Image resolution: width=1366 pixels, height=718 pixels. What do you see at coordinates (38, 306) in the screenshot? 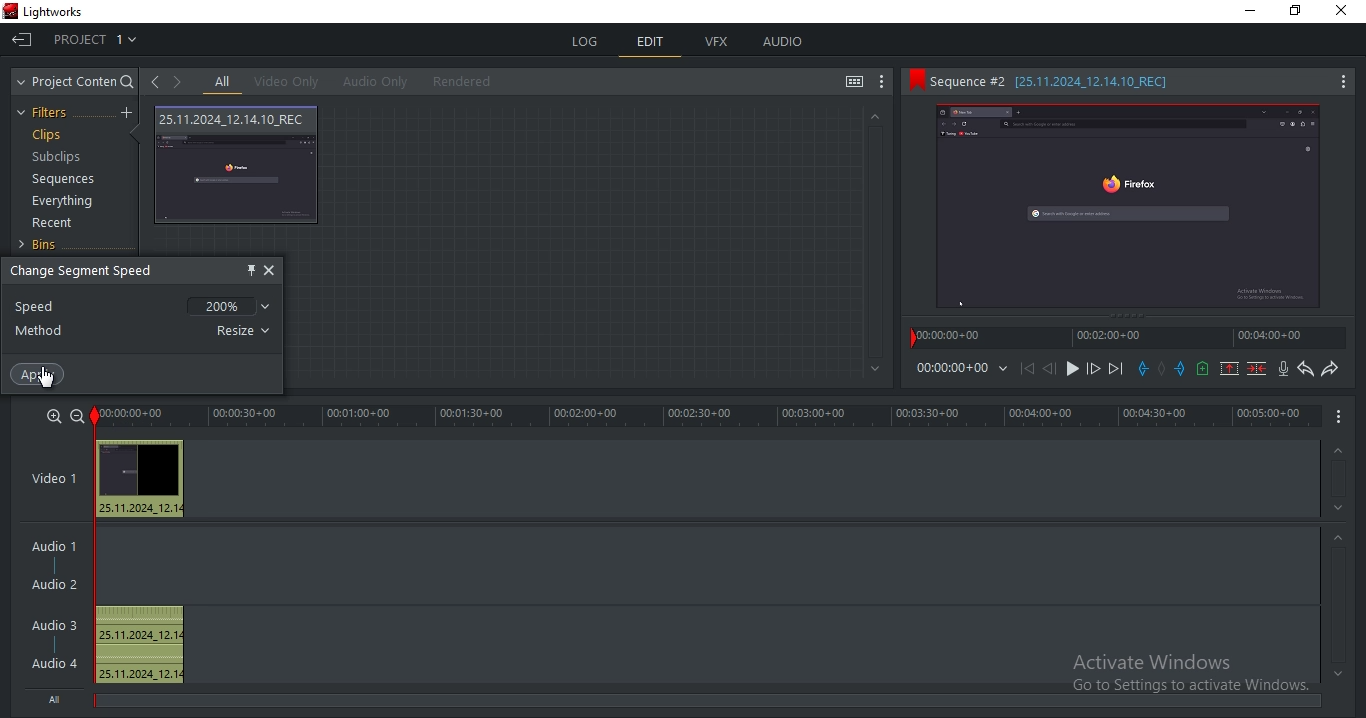
I see `speed` at bounding box center [38, 306].